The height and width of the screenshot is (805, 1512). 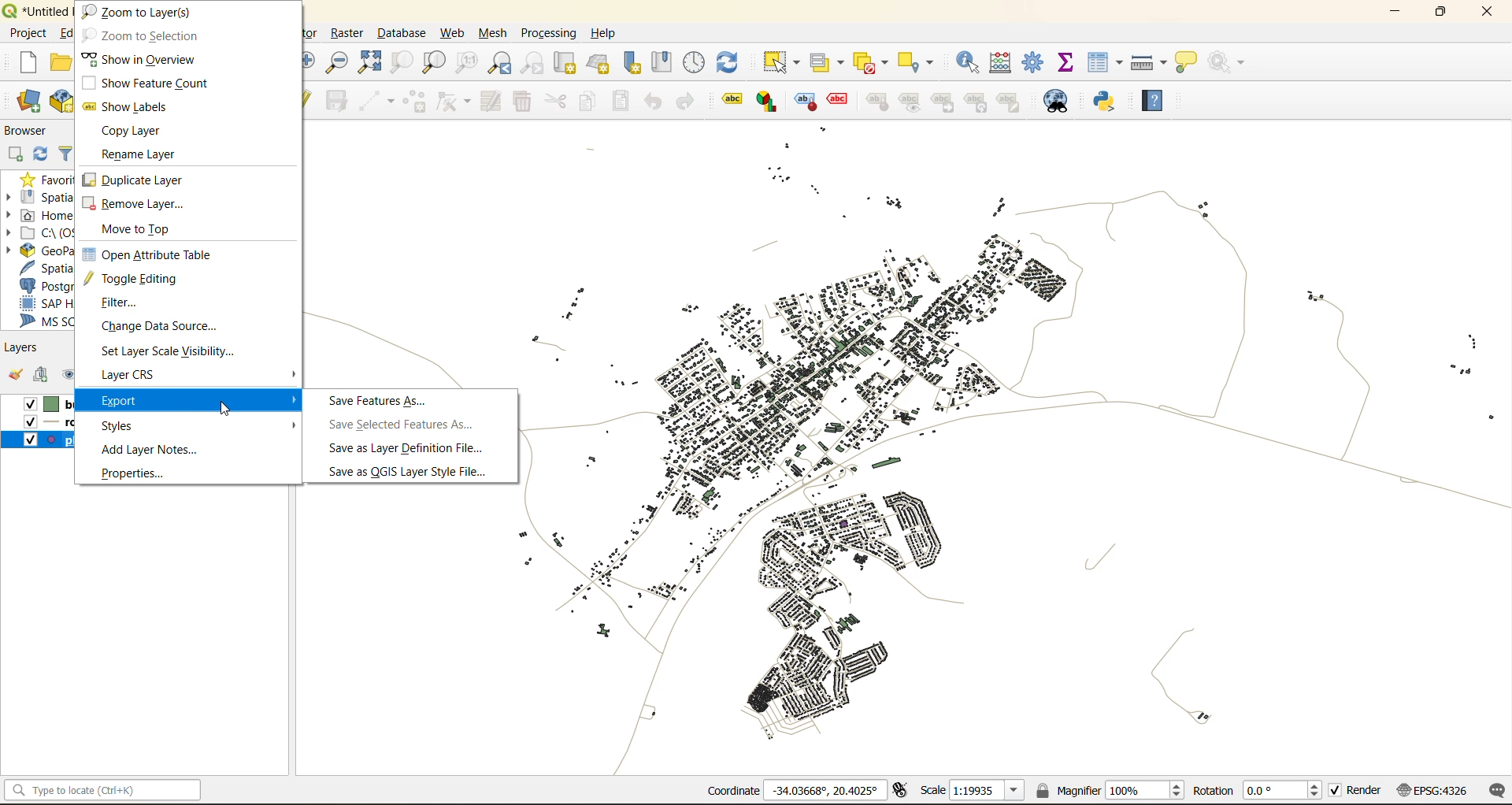 What do you see at coordinates (1190, 63) in the screenshot?
I see `show tips` at bounding box center [1190, 63].